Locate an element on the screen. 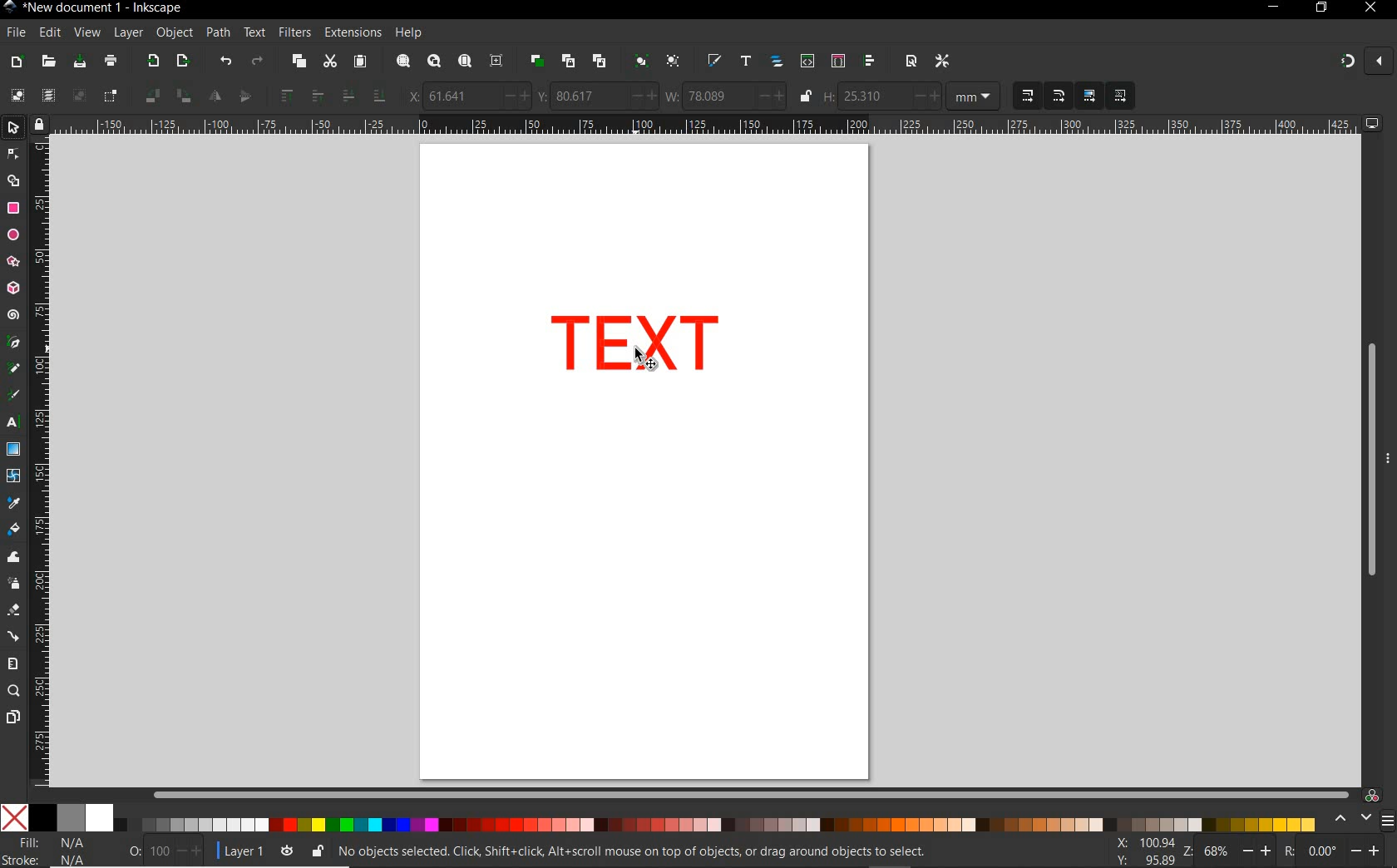 The image size is (1397, 868). eraser tool is located at coordinates (12, 611).